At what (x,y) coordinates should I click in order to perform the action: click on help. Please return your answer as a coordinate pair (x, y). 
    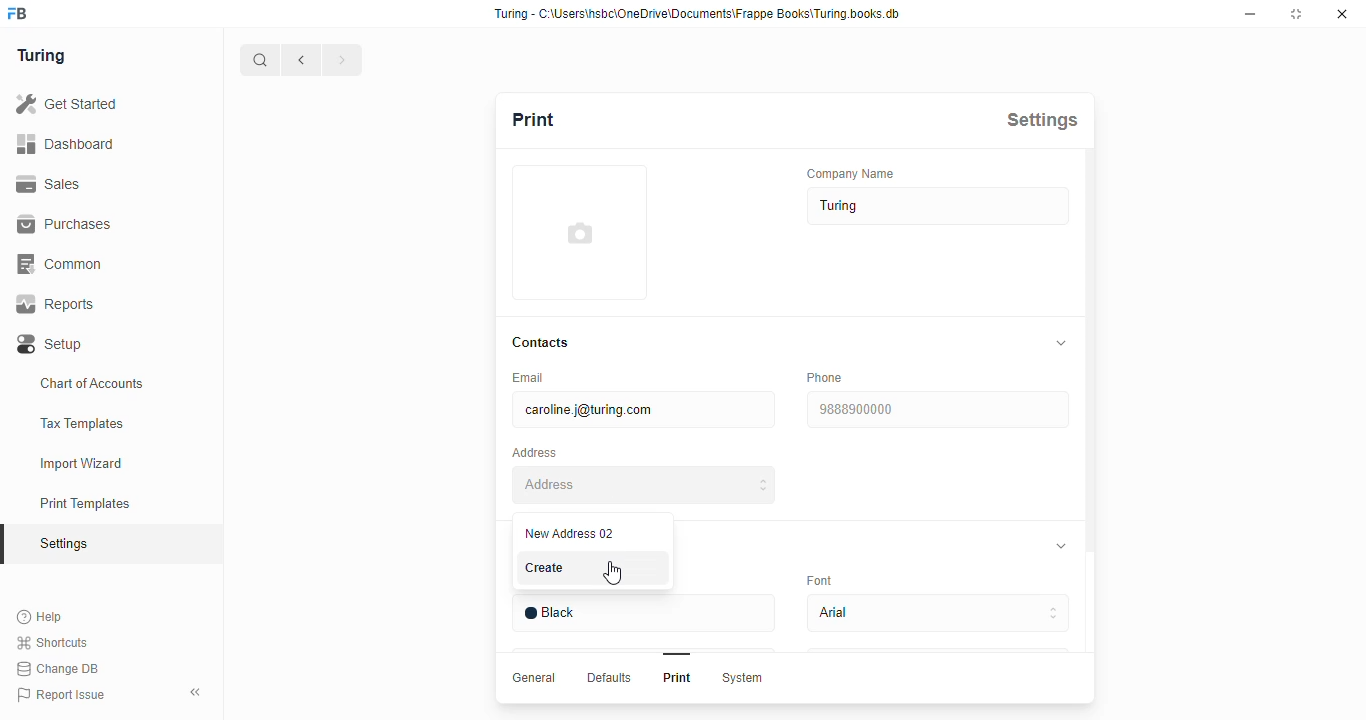
    Looking at the image, I should click on (41, 617).